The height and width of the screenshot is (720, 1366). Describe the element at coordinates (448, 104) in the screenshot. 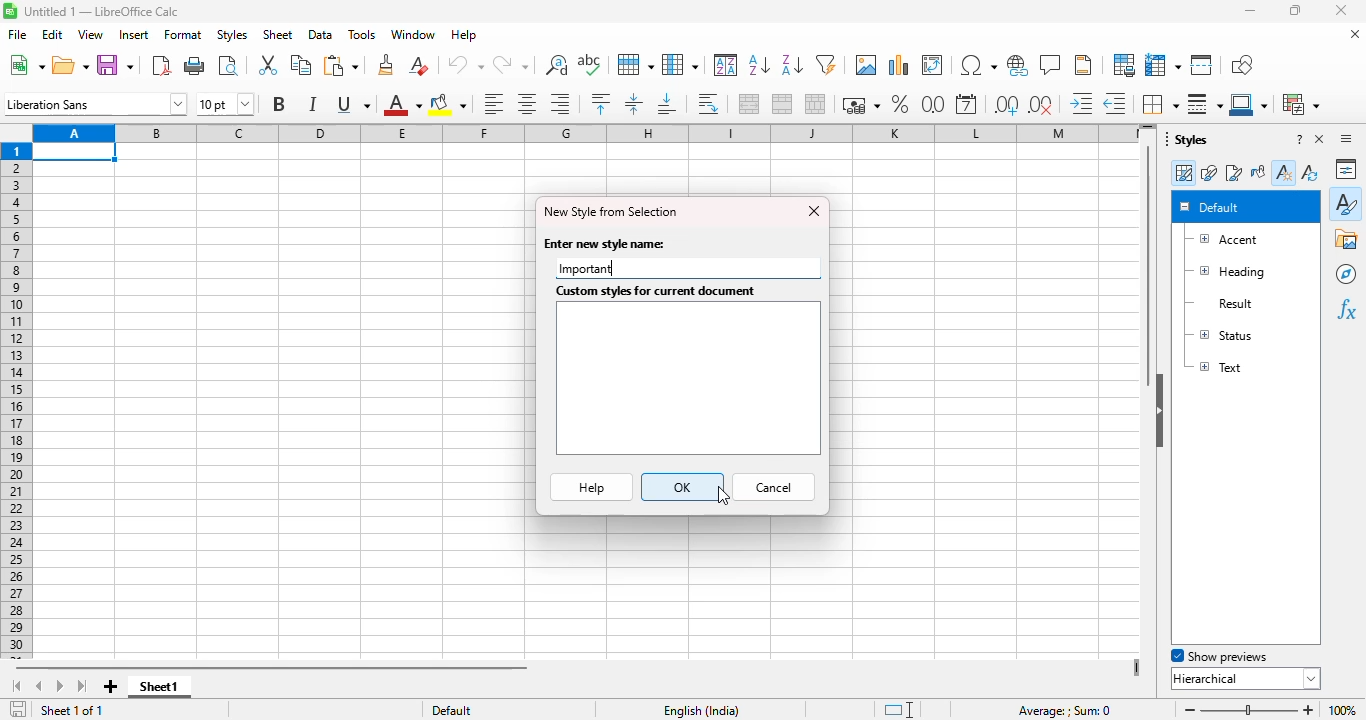

I see `background color` at that location.